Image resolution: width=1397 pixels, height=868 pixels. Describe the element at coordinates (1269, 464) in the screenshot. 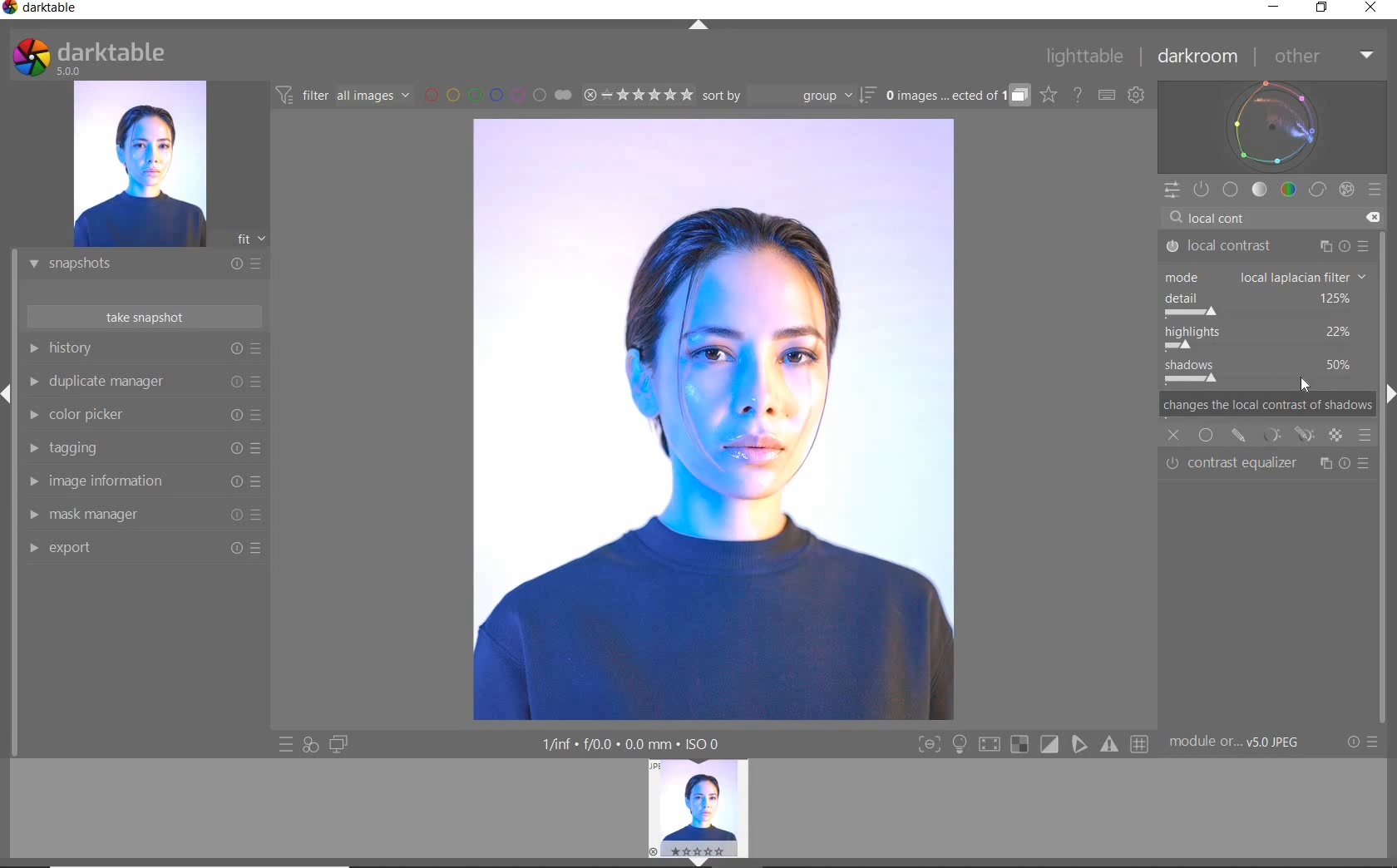

I see `contrast equalizer` at that location.